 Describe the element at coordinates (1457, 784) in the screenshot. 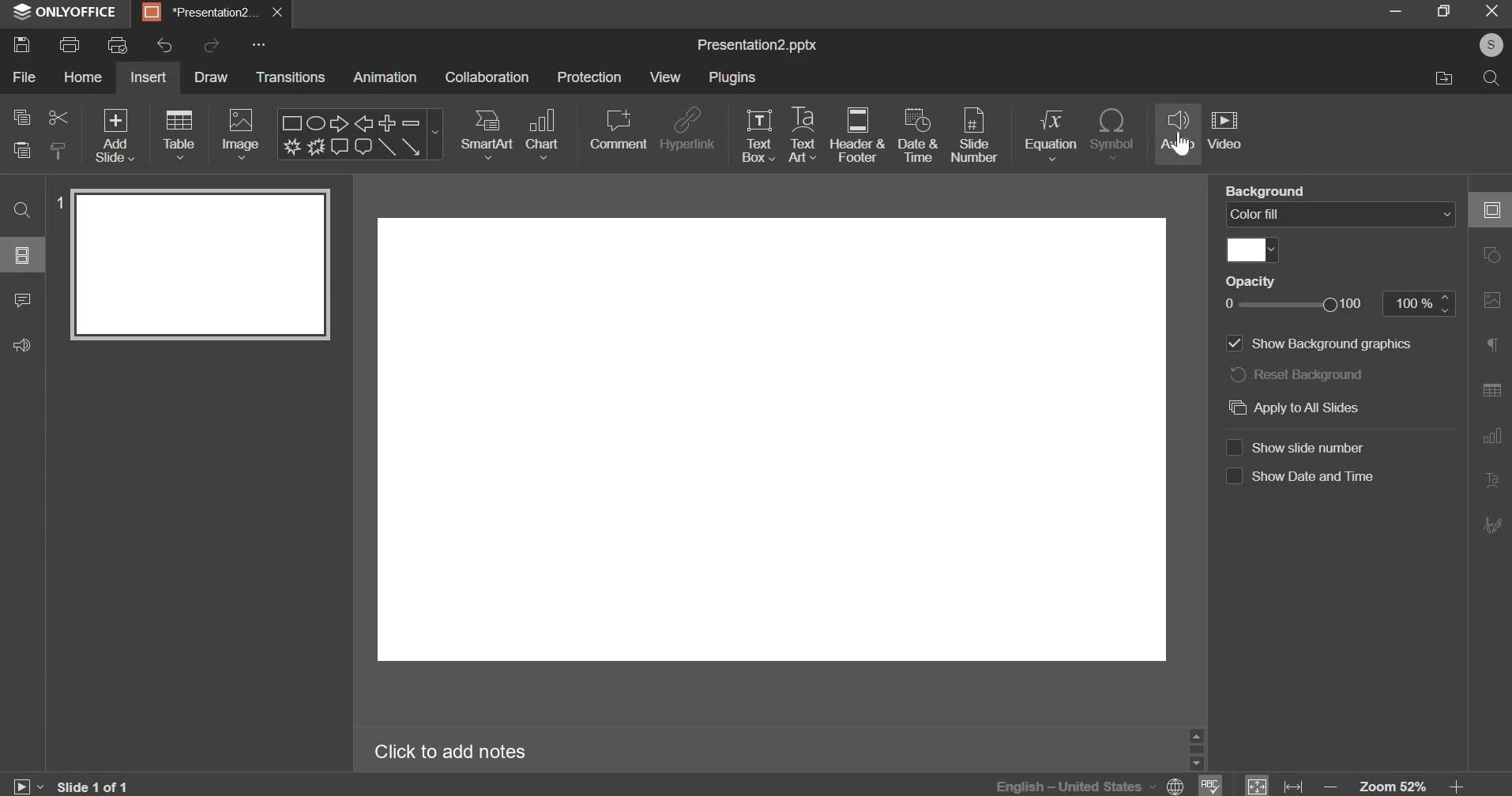

I see `increase zoom` at that location.